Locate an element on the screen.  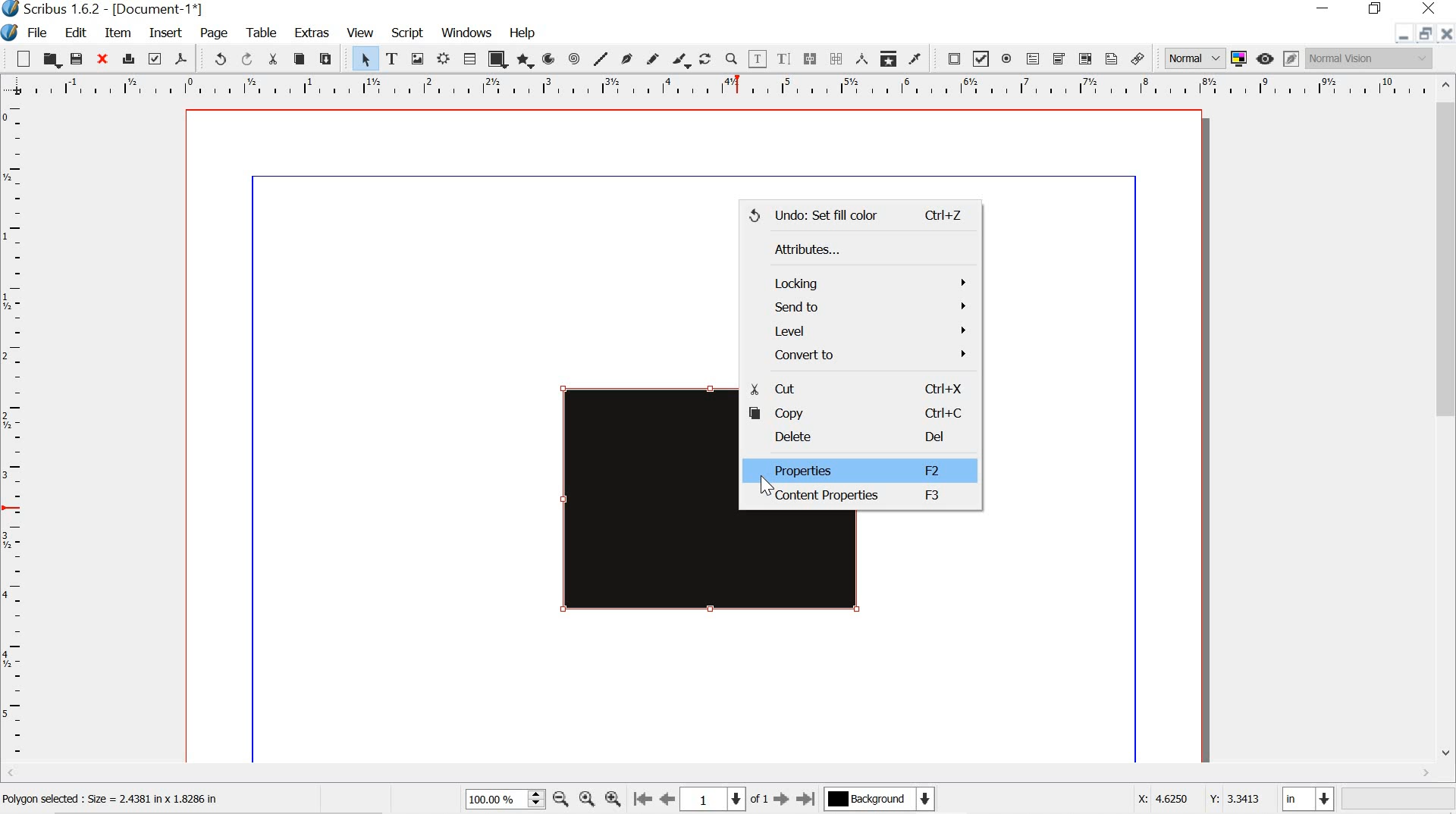
page is located at coordinates (210, 31).